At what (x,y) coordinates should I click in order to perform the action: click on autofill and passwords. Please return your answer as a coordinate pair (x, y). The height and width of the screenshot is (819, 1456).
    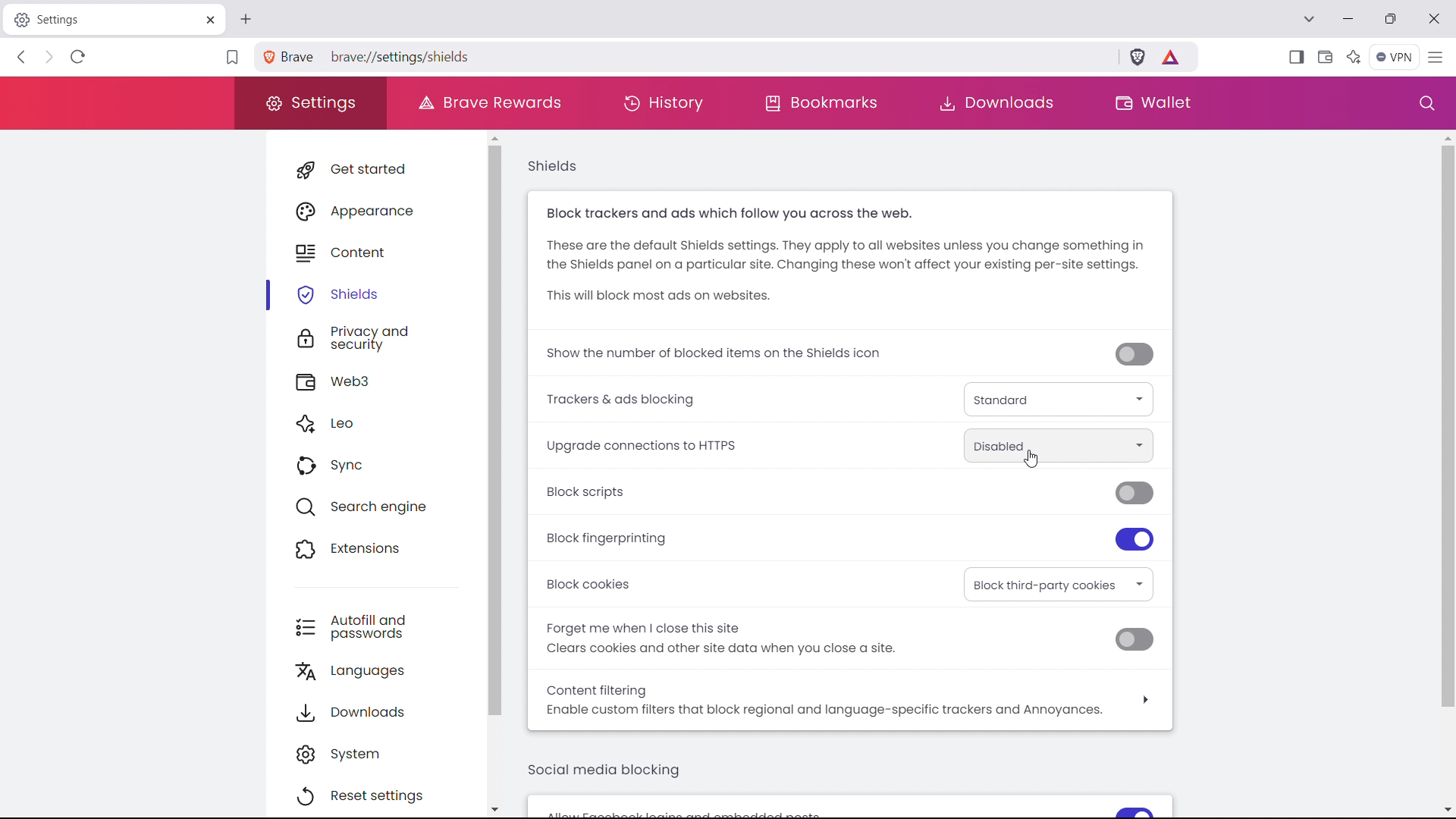
    Looking at the image, I should click on (382, 626).